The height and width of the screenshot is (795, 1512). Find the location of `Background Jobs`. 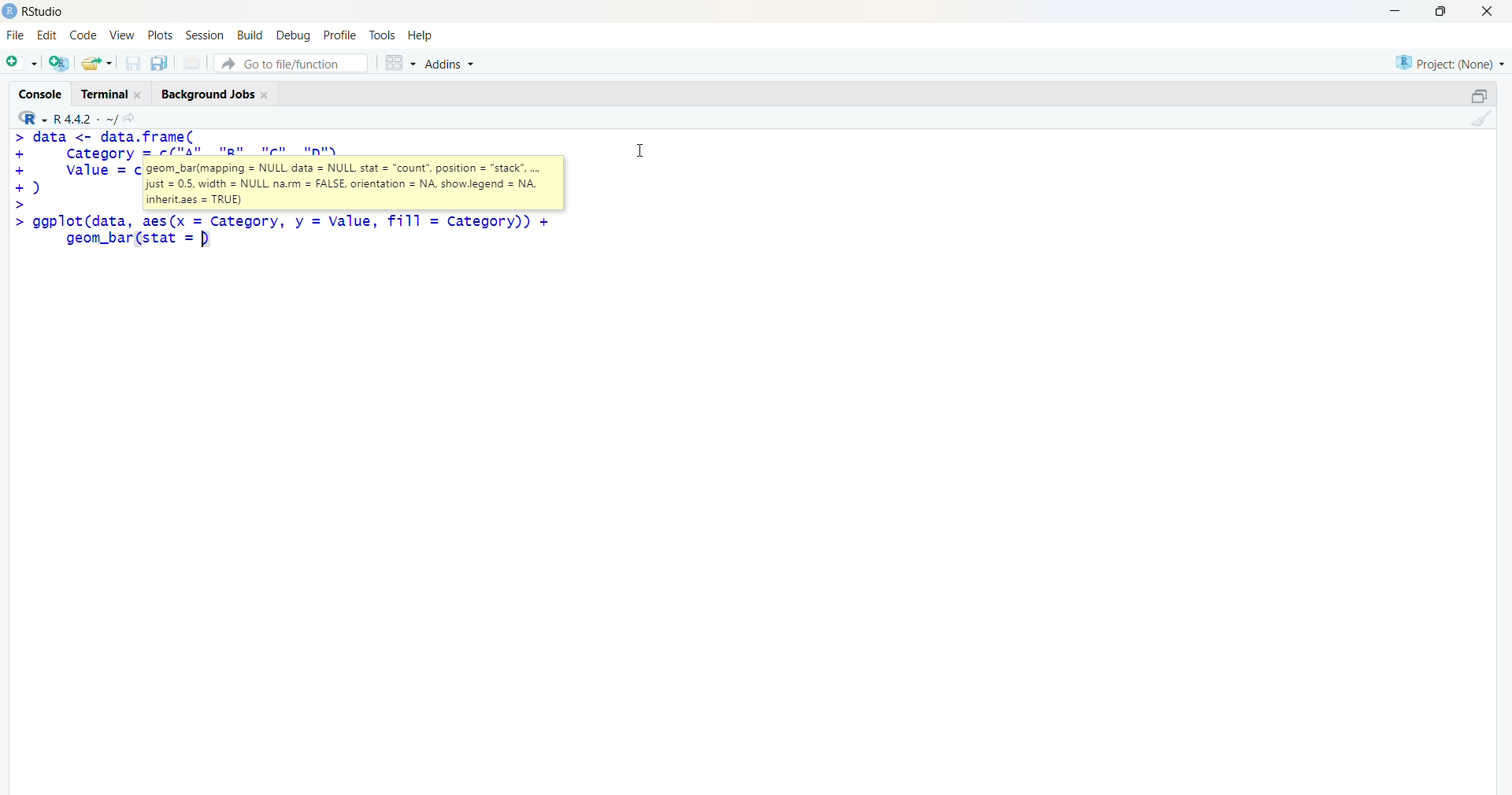

Background Jobs is located at coordinates (214, 91).